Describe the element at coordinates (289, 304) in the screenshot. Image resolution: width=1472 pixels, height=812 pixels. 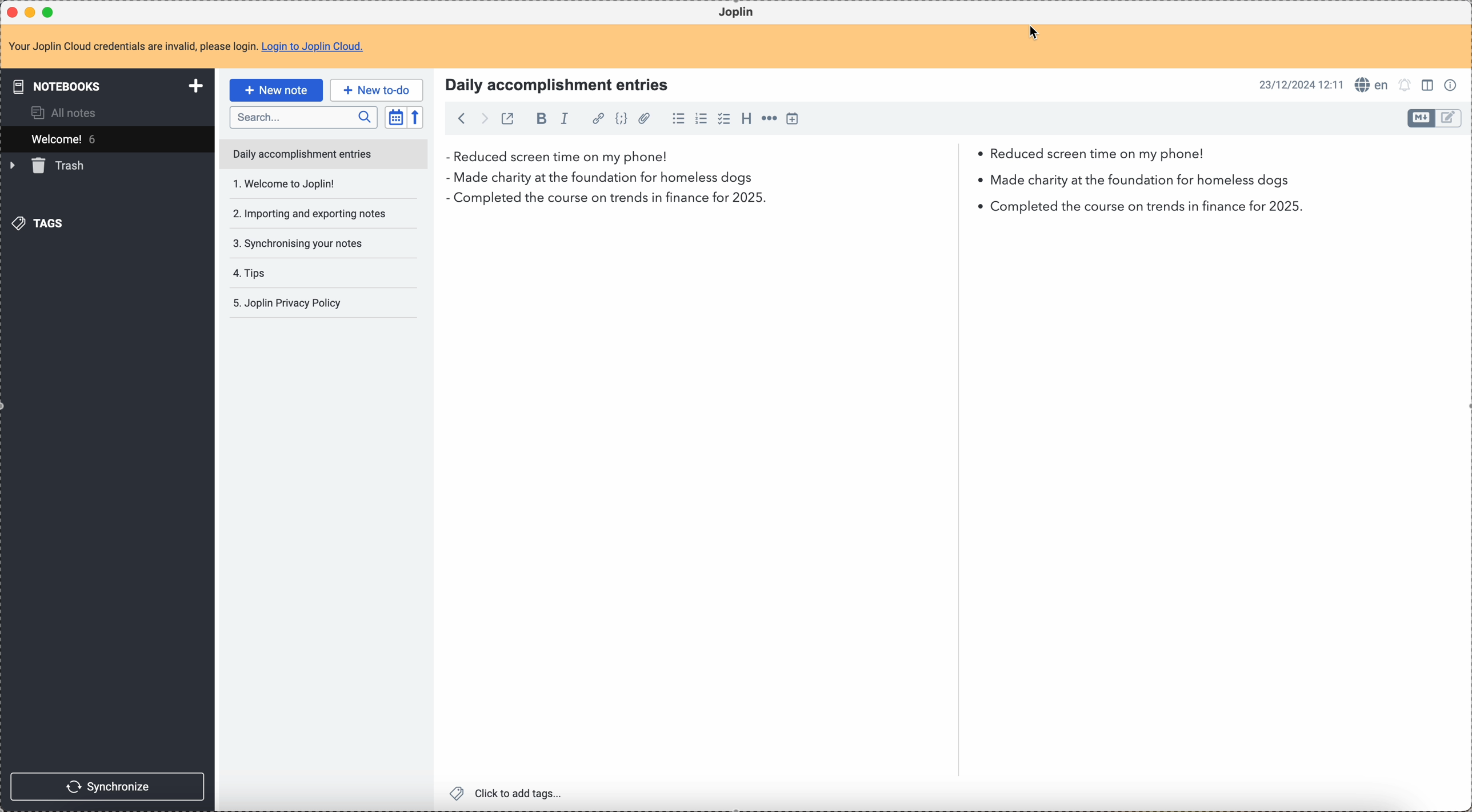
I see `5. Joplin privacy policy` at that location.